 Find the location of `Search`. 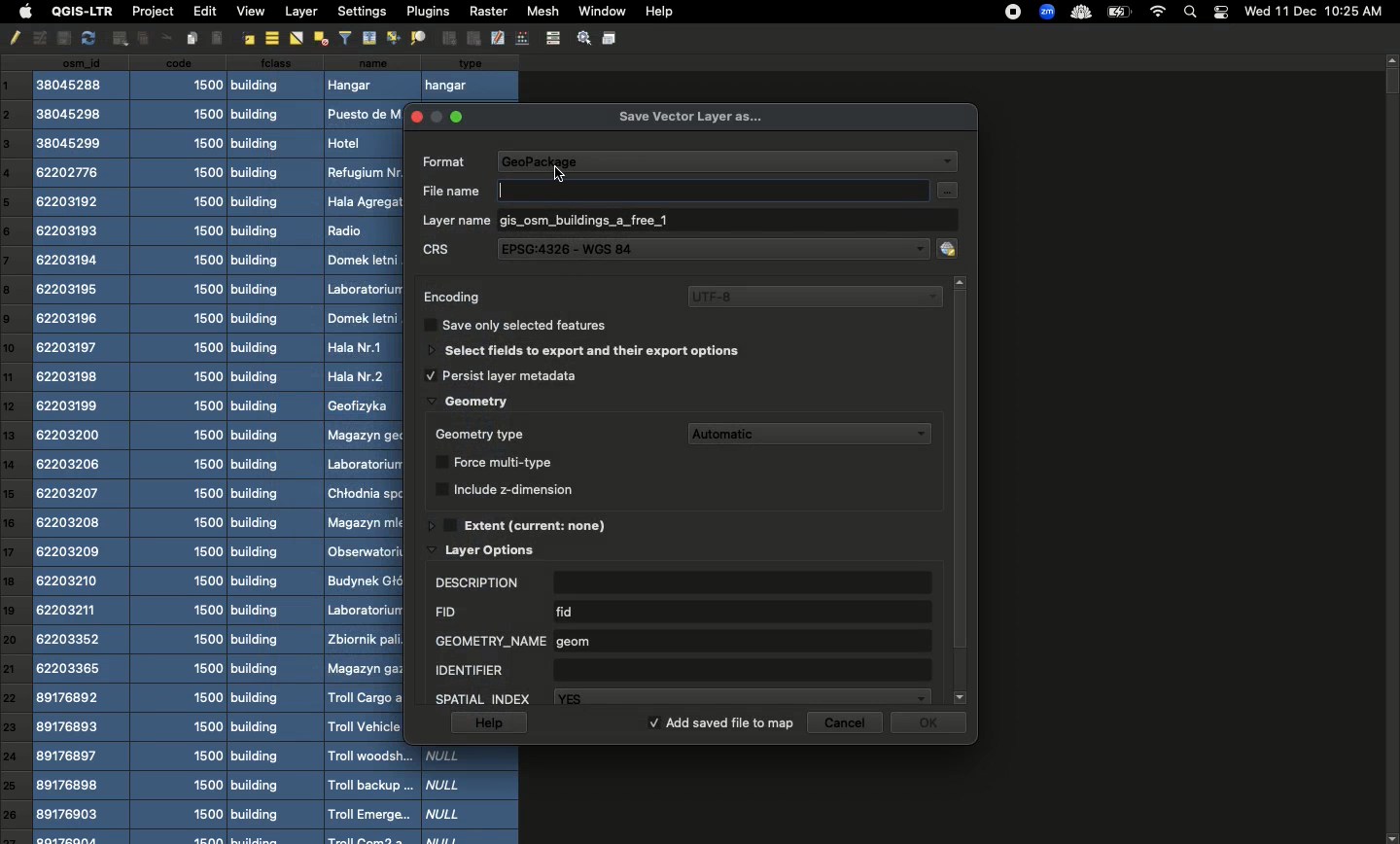

Search is located at coordinates (1192, 11).